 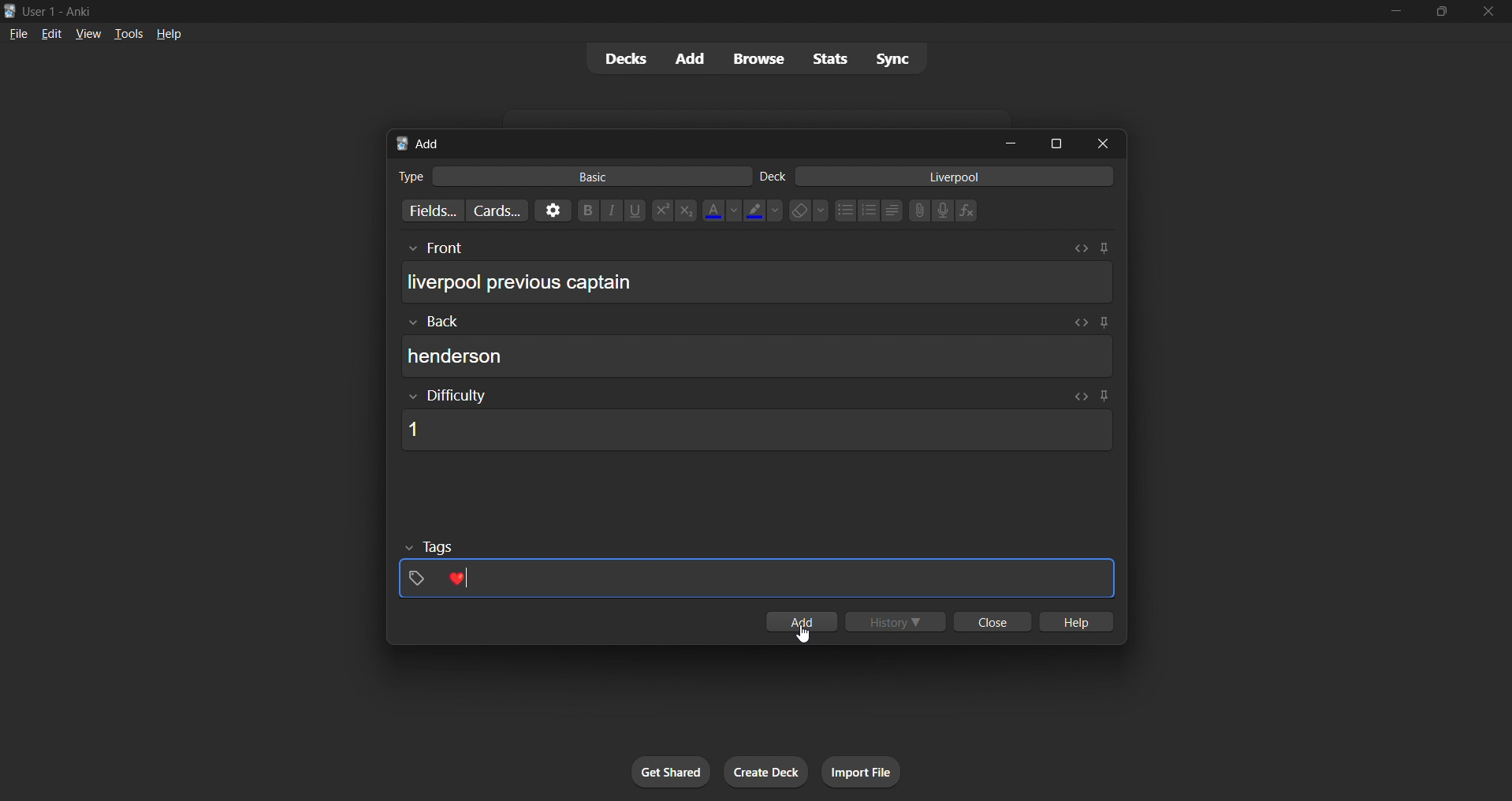 I want to click on link, so click(x=918, y=212).